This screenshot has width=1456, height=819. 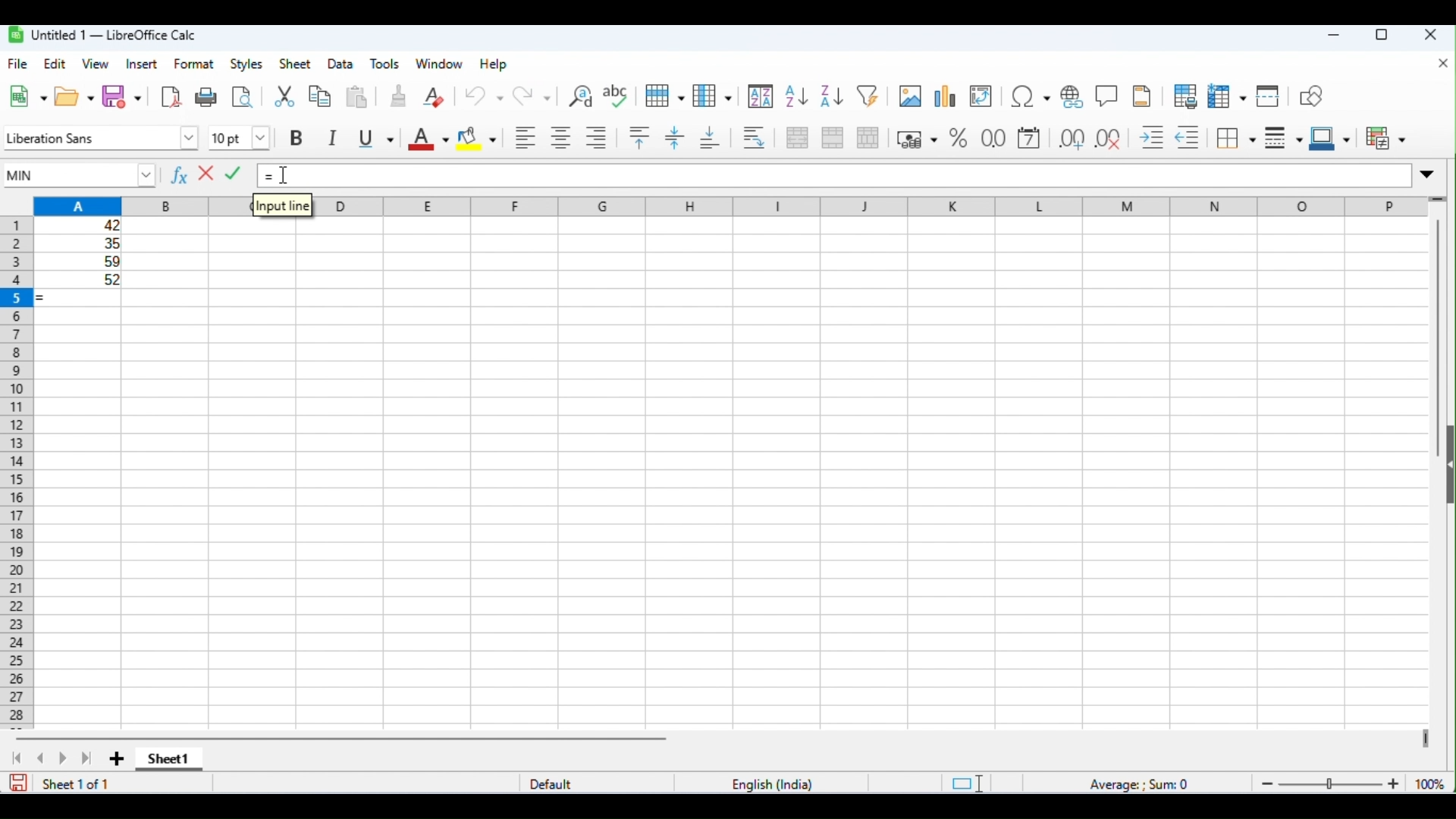 I want to click on =, so click(x=270, y=178).